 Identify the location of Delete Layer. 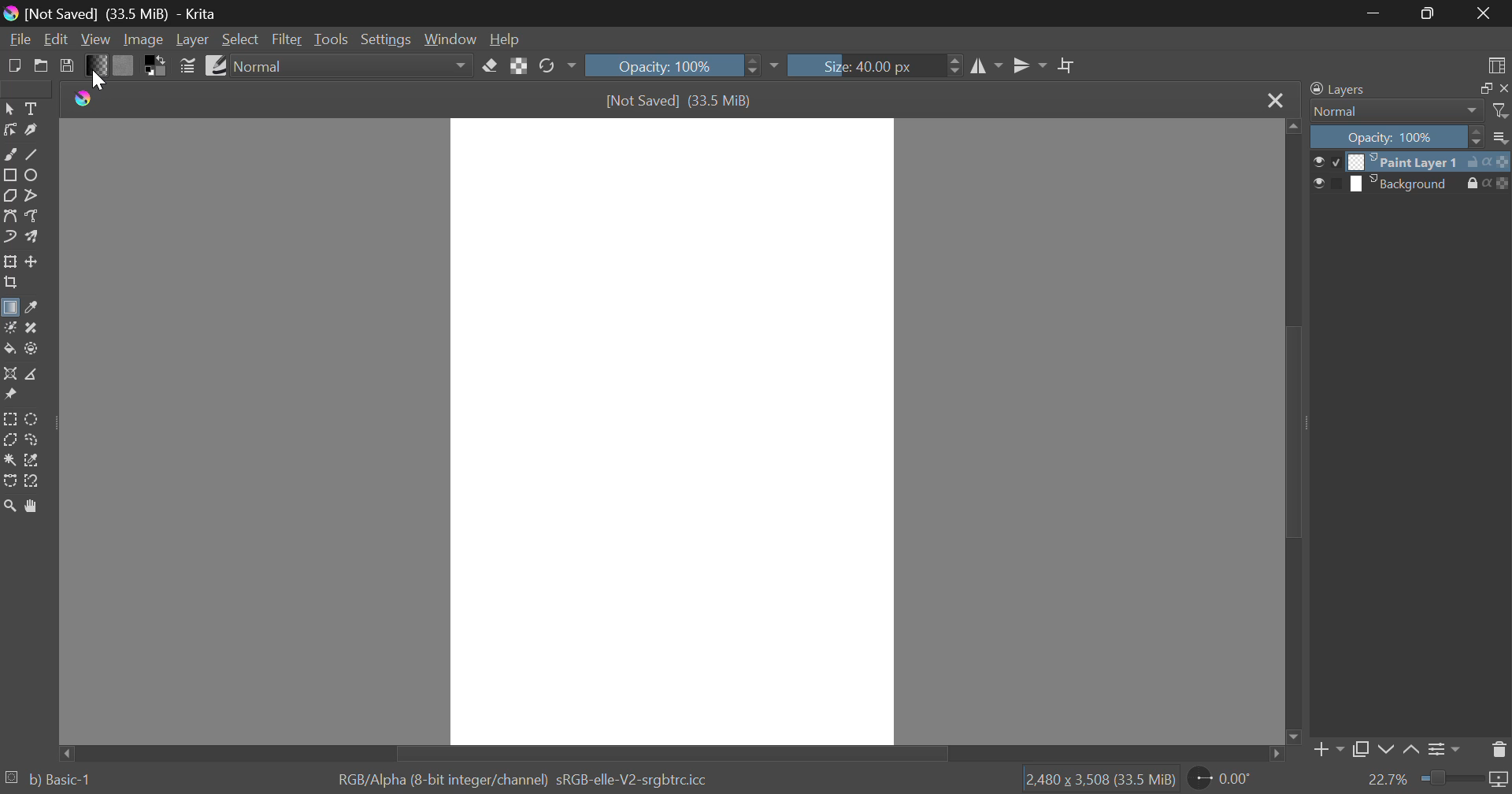
(1499, 748).